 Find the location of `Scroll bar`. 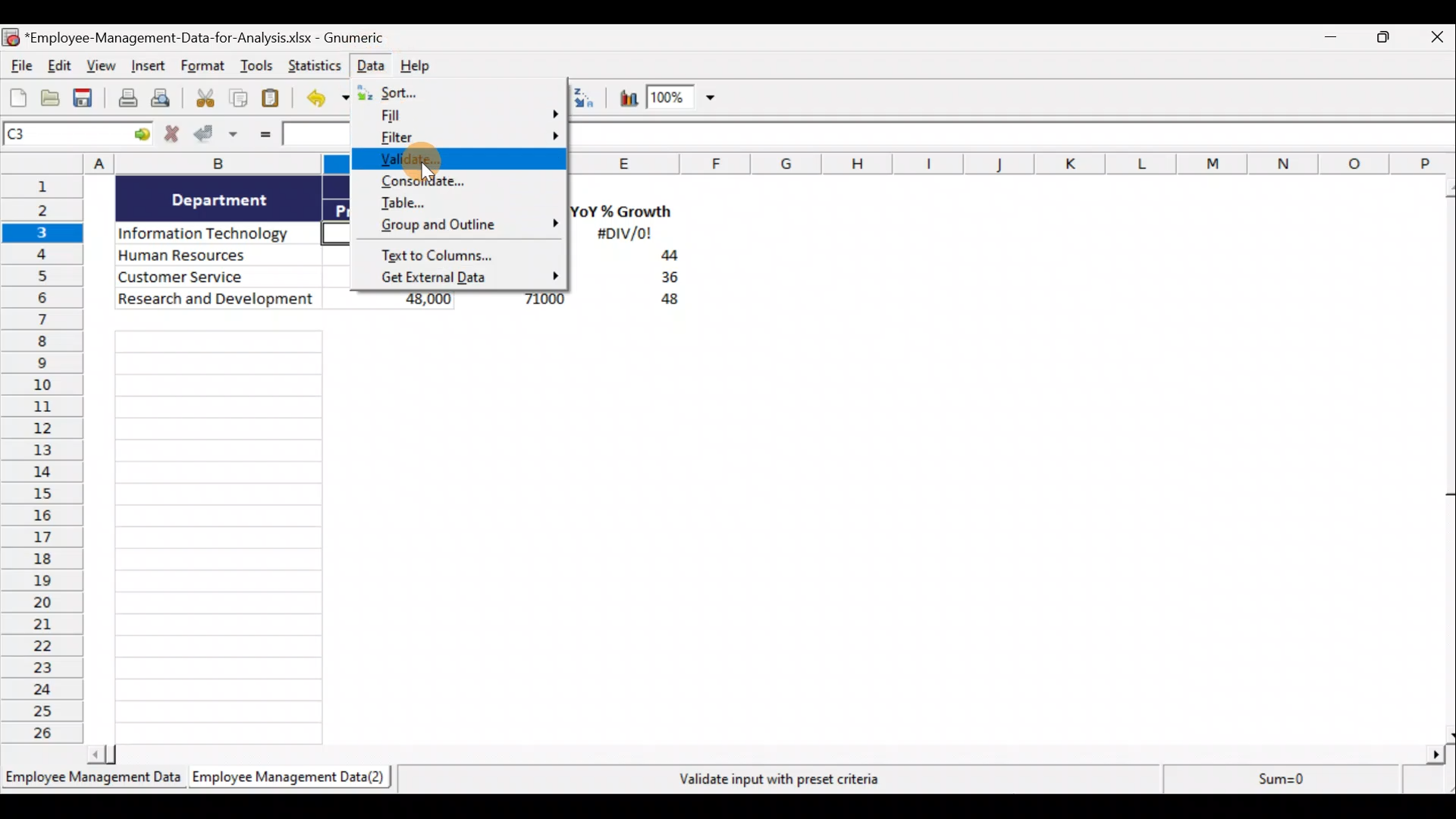

Scroll bar is located at coordinates (771, 752).